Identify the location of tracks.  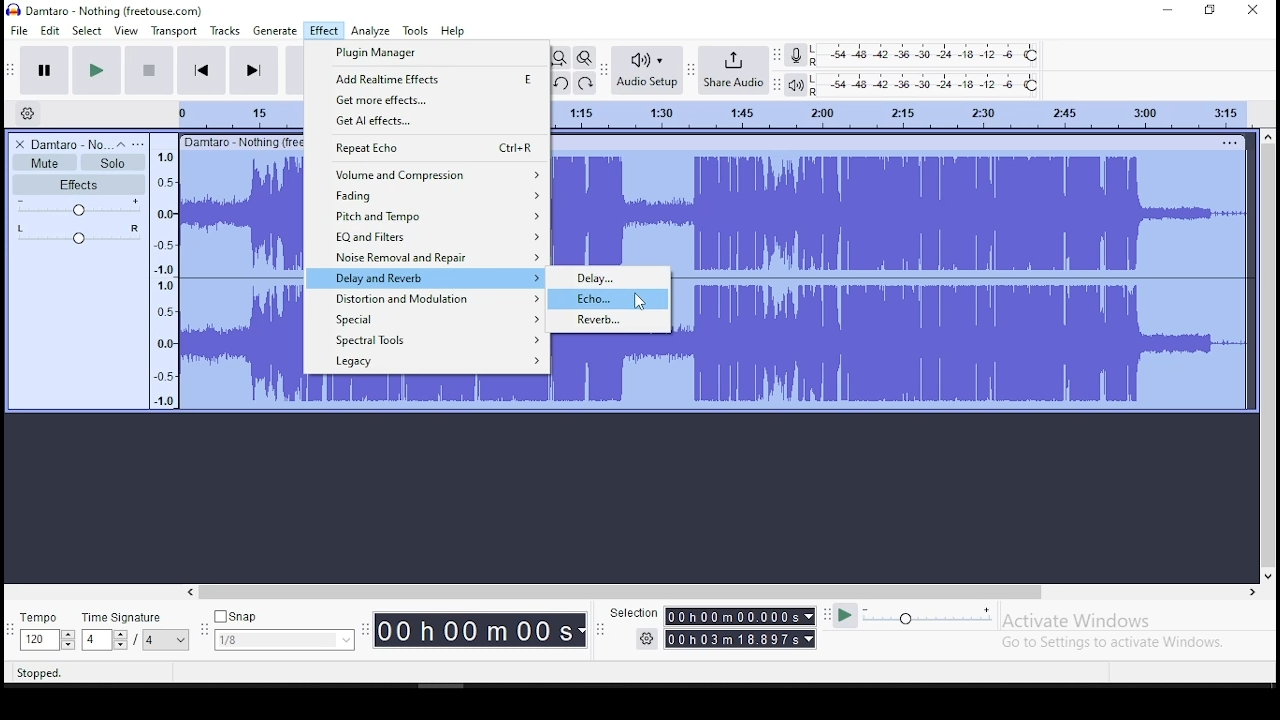
(224, 31).